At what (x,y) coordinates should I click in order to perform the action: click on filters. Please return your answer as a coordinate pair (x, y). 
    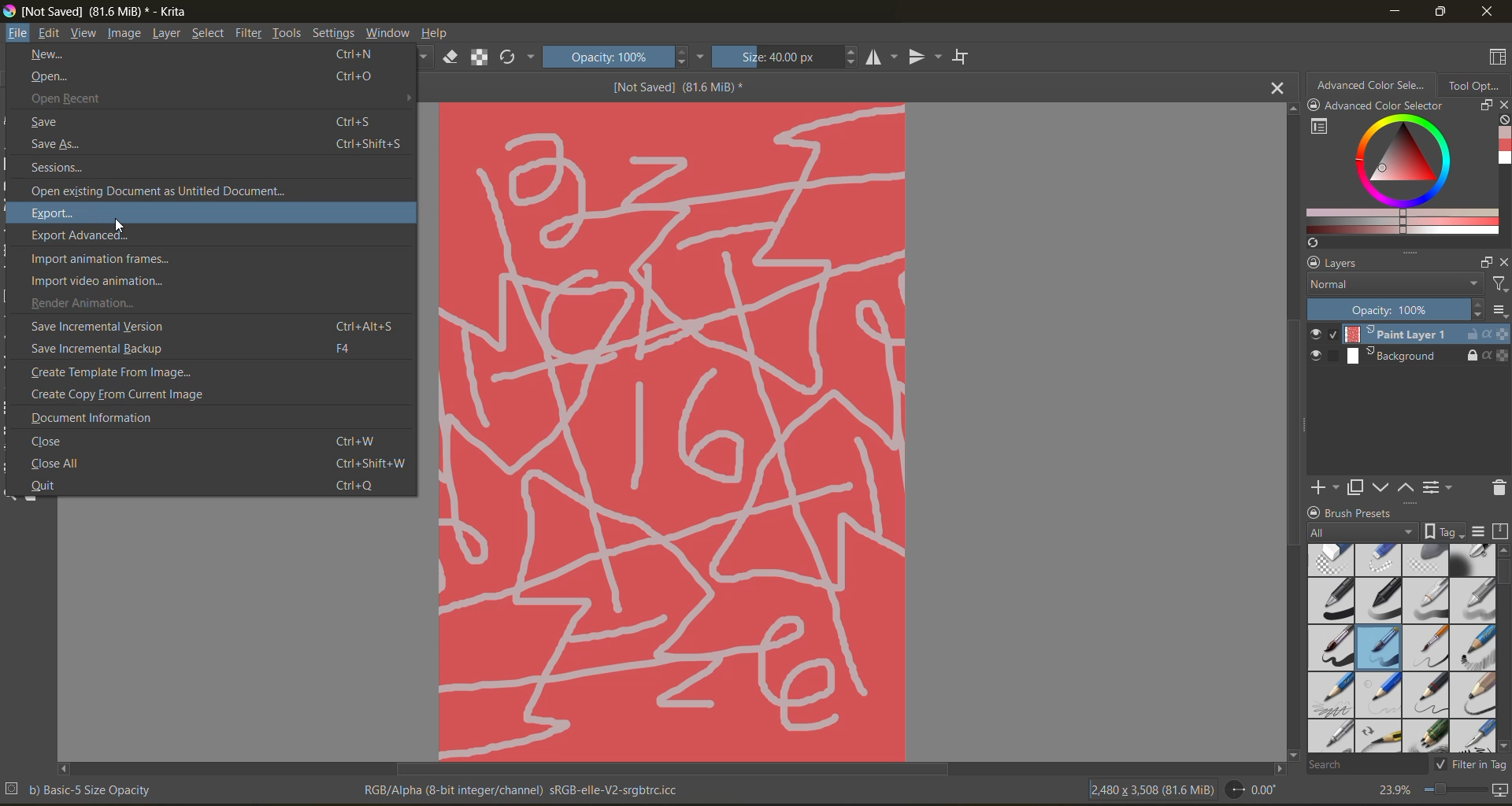
    Looking at the image, I should click on (1499, 285).